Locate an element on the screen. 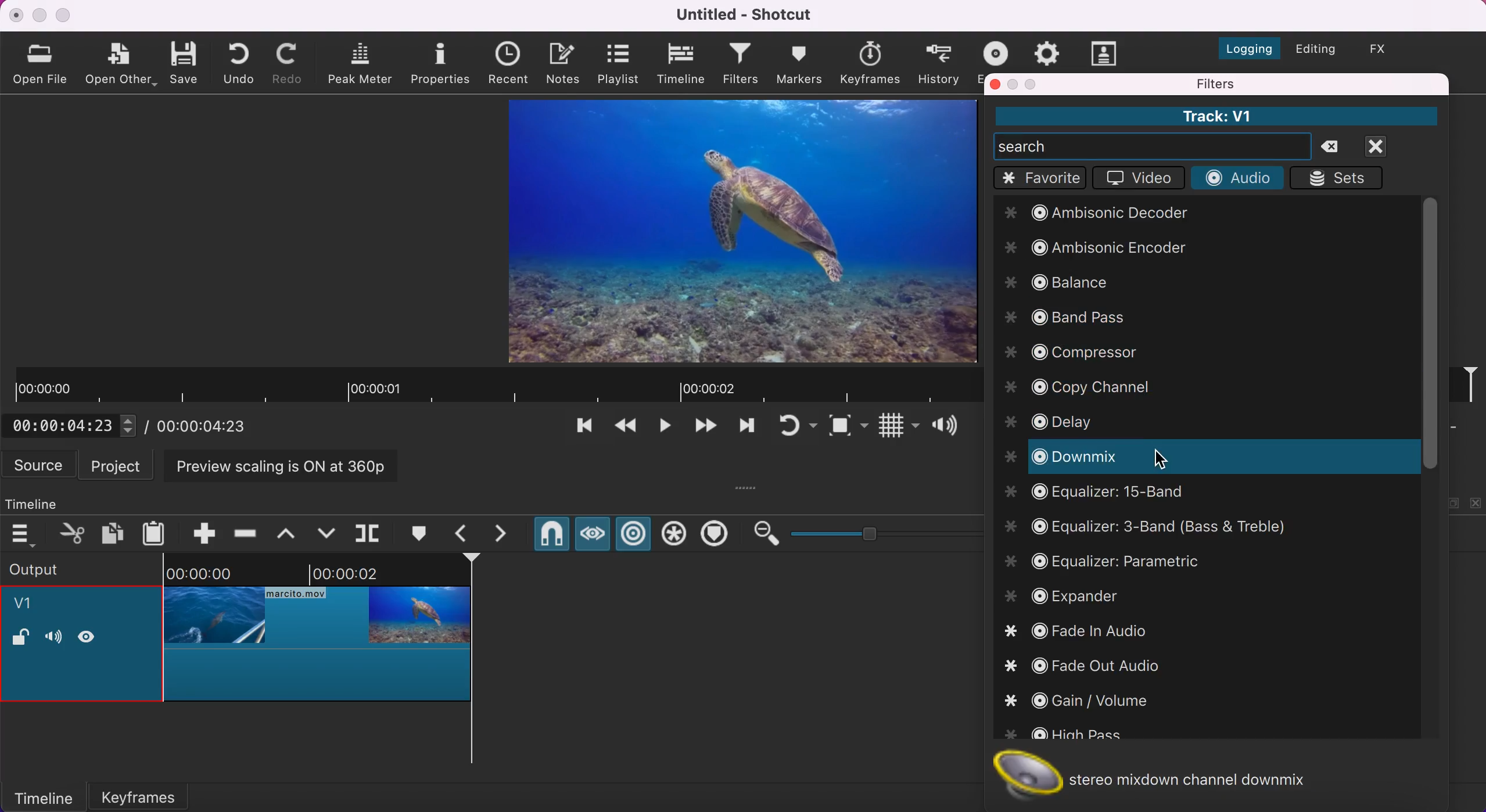  copy channel is located at coordinates (1084, 387).